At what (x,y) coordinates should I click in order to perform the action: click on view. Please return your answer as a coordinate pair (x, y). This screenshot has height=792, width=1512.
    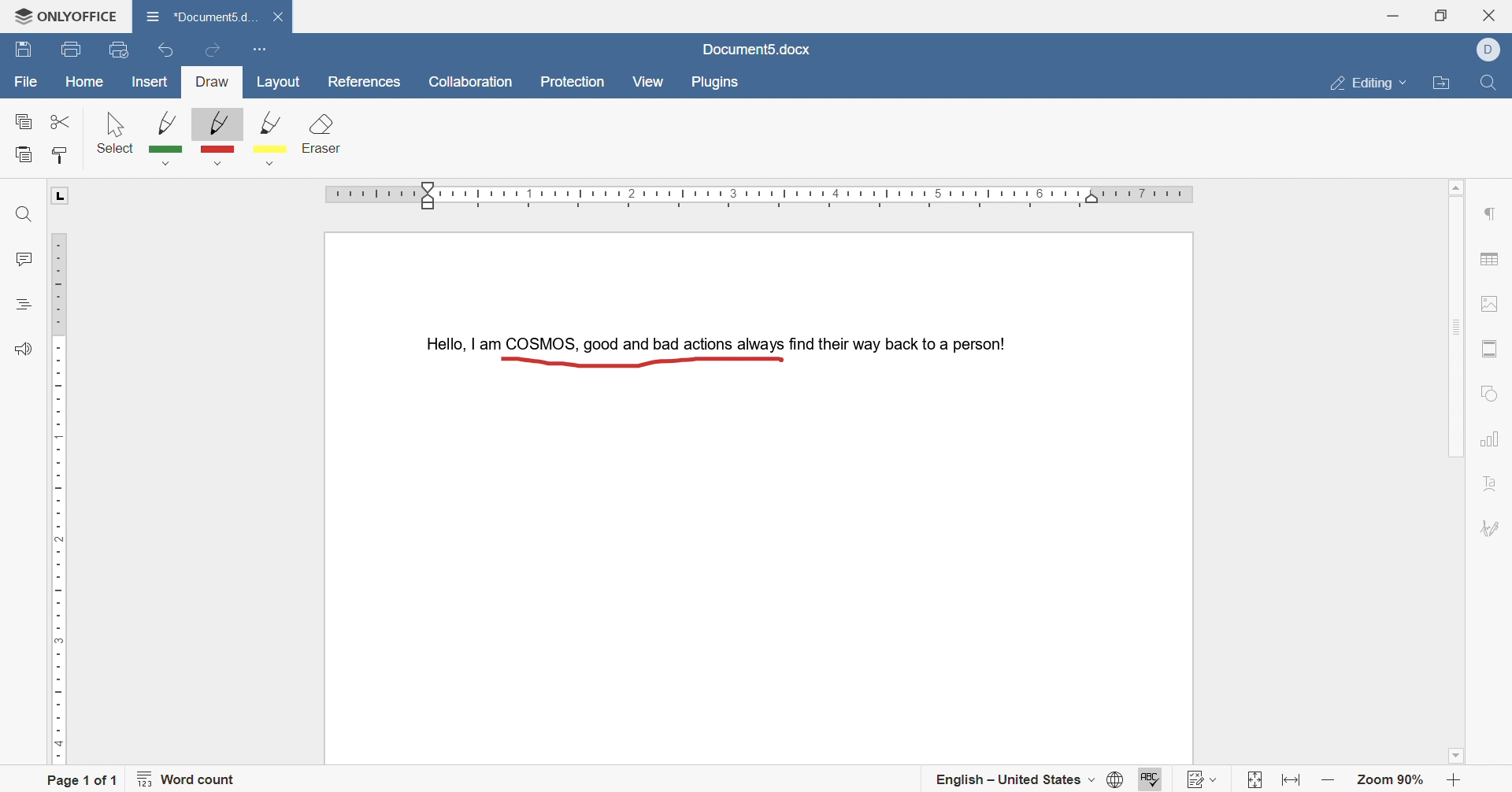
    Looking at the image, I should click on (647, 81).